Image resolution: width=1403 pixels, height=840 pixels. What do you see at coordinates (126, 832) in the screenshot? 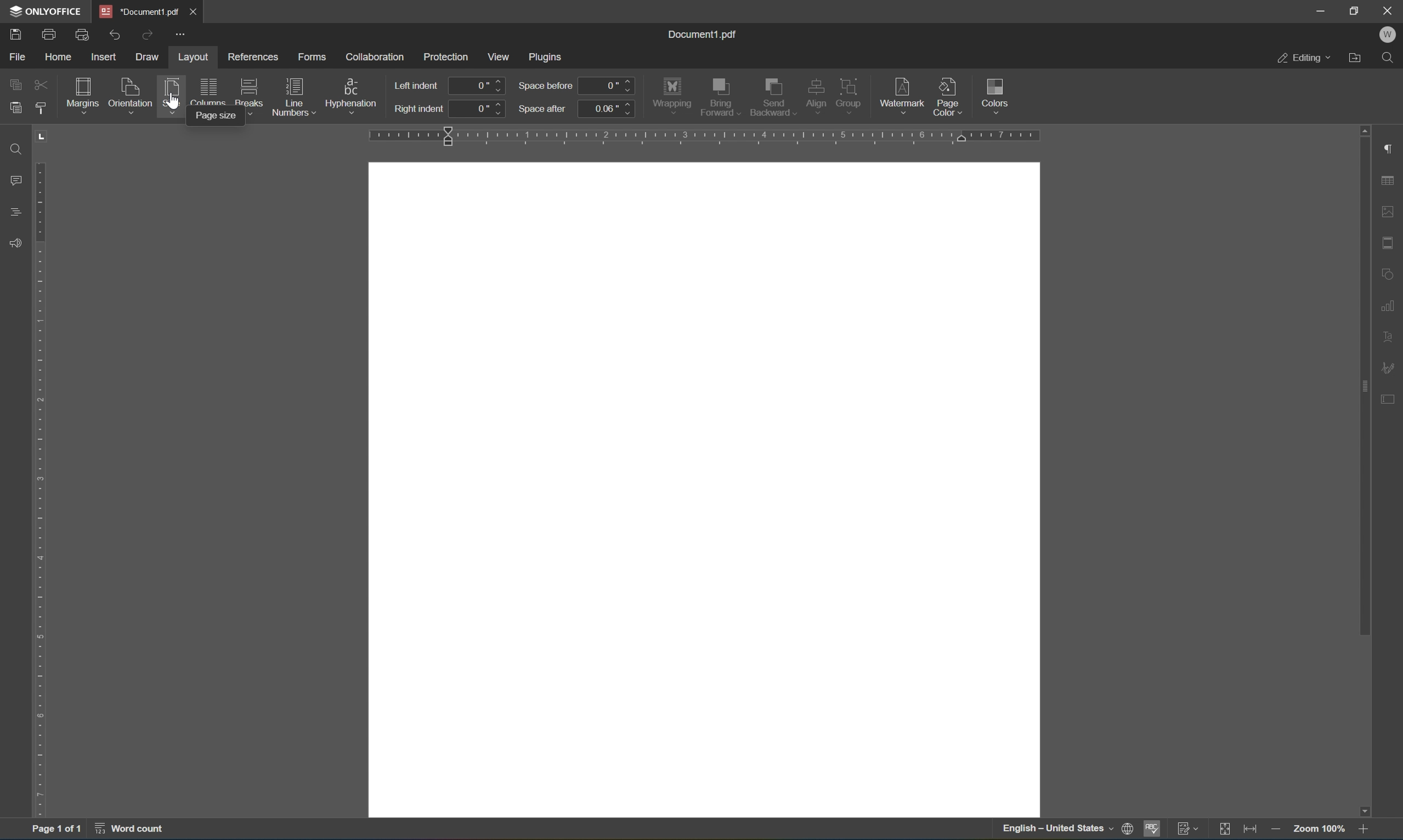
I see `word count` at bounding box center [126, 832].